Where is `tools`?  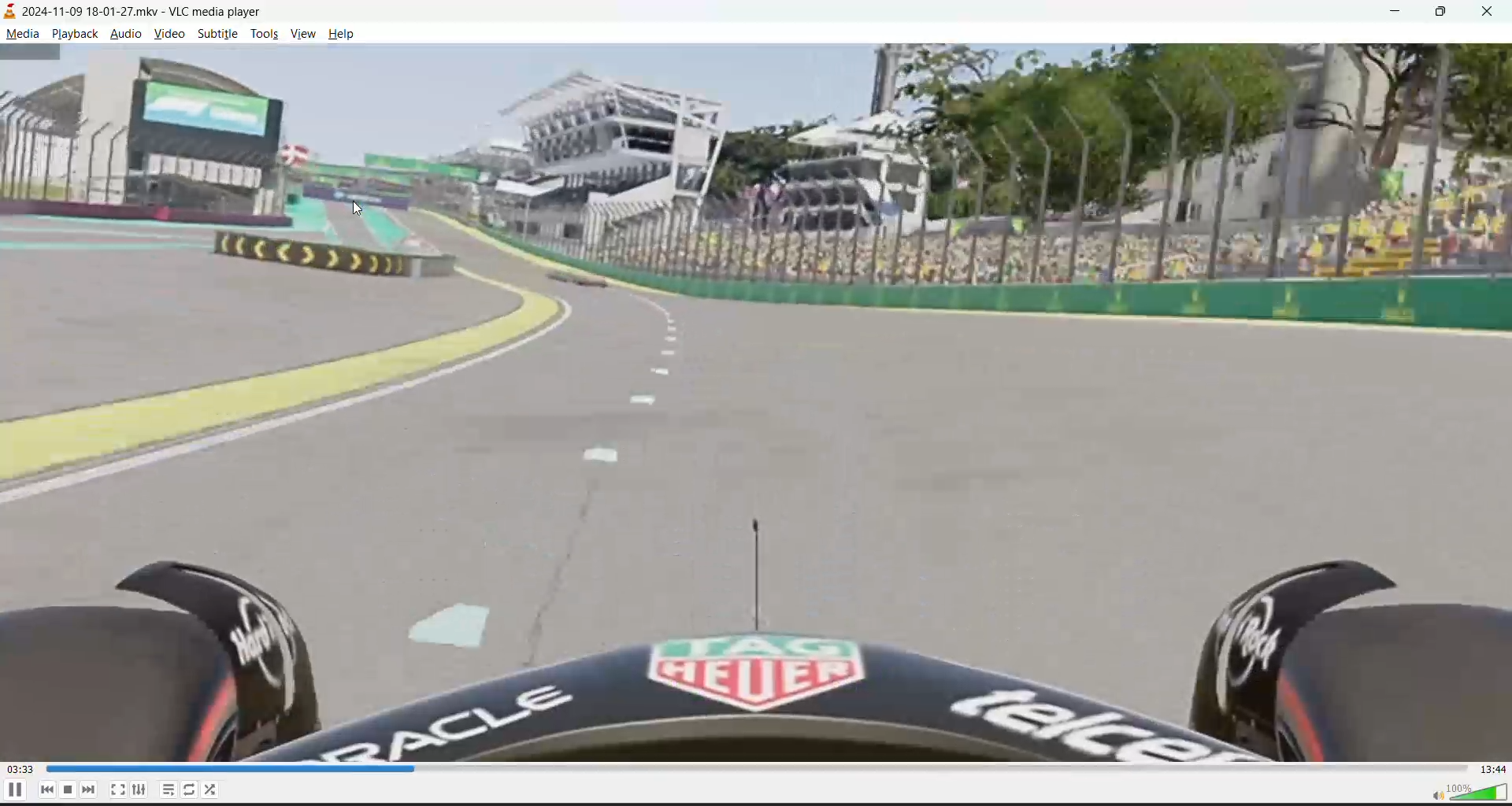
tools is located at coordinates (265, 33).